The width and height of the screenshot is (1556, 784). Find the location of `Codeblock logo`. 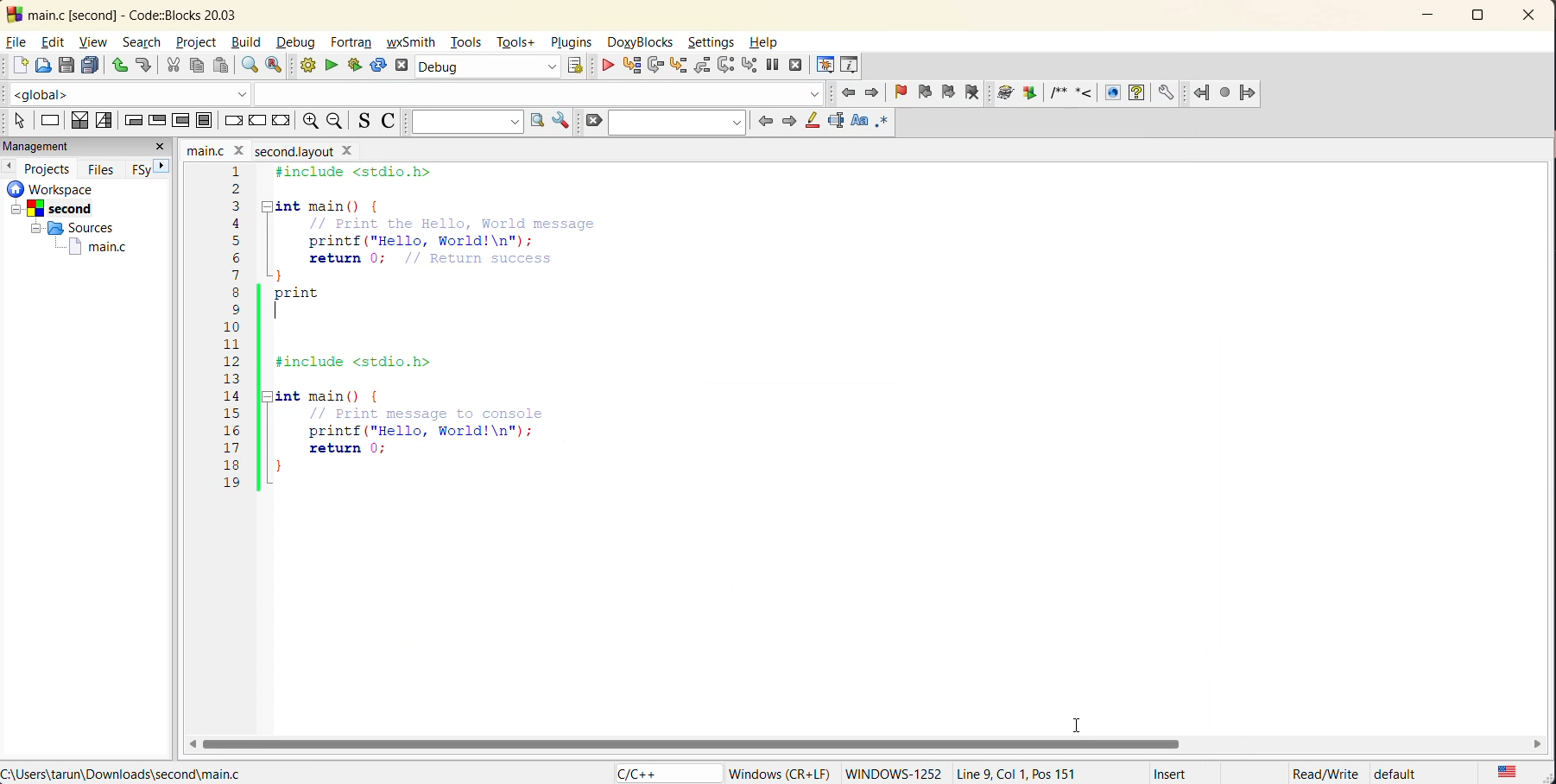

Codeblock logo is located at coordinates (13, 14).